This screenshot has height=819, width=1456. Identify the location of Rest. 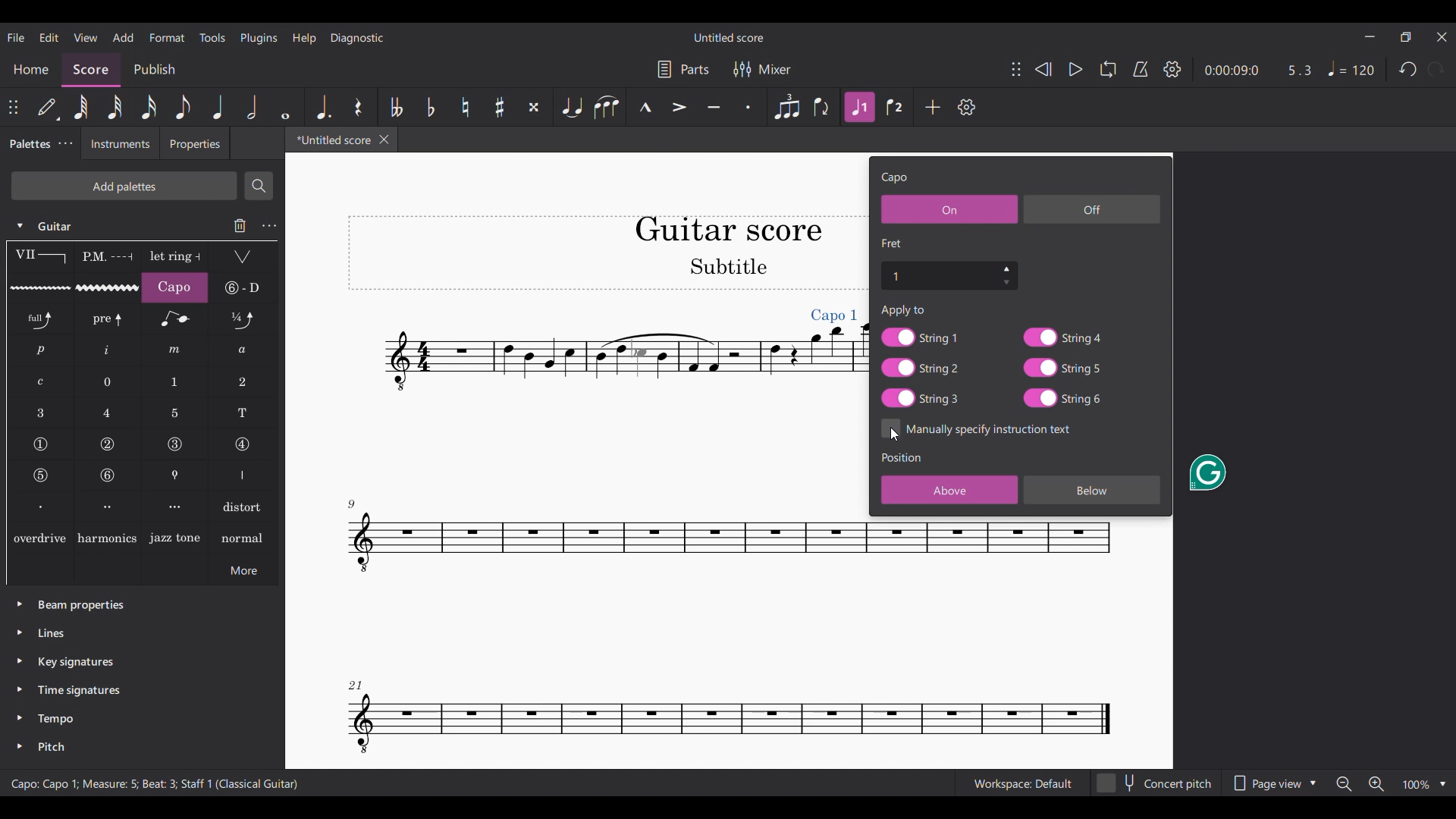
(359, 107).